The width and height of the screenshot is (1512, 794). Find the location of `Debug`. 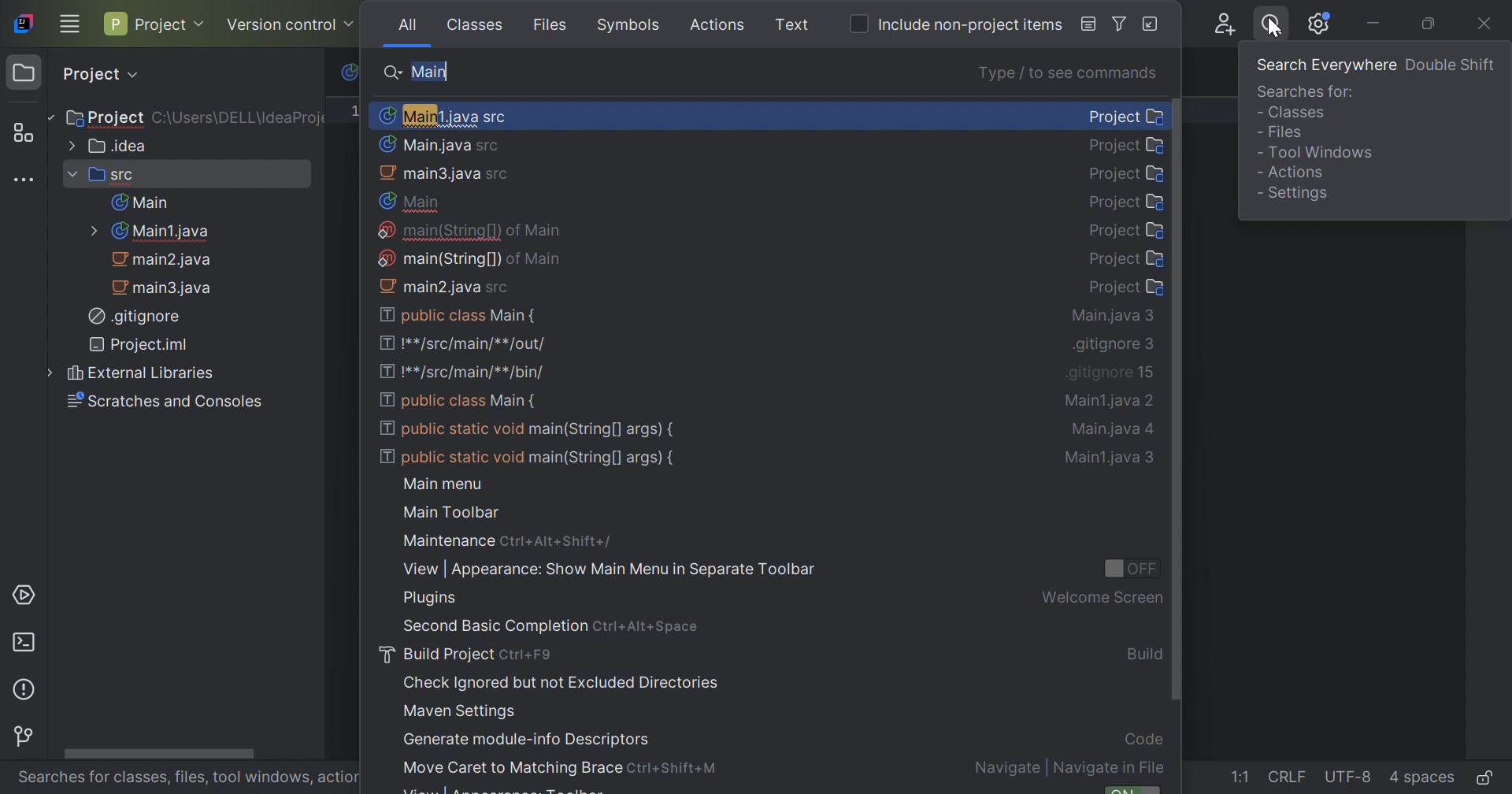

Debug is located at coordinates (1082, 25).